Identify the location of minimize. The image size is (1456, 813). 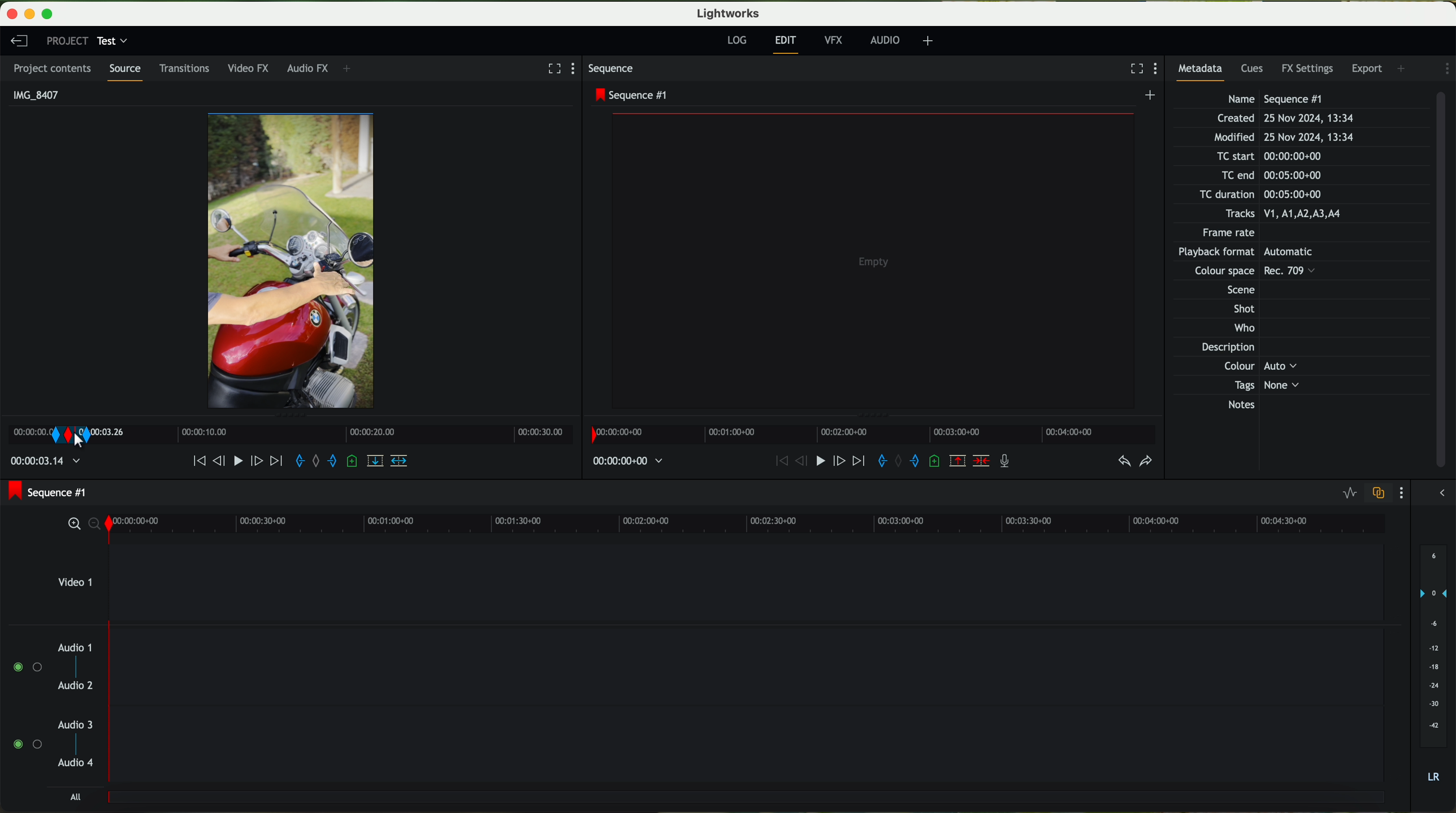
(27, 12).